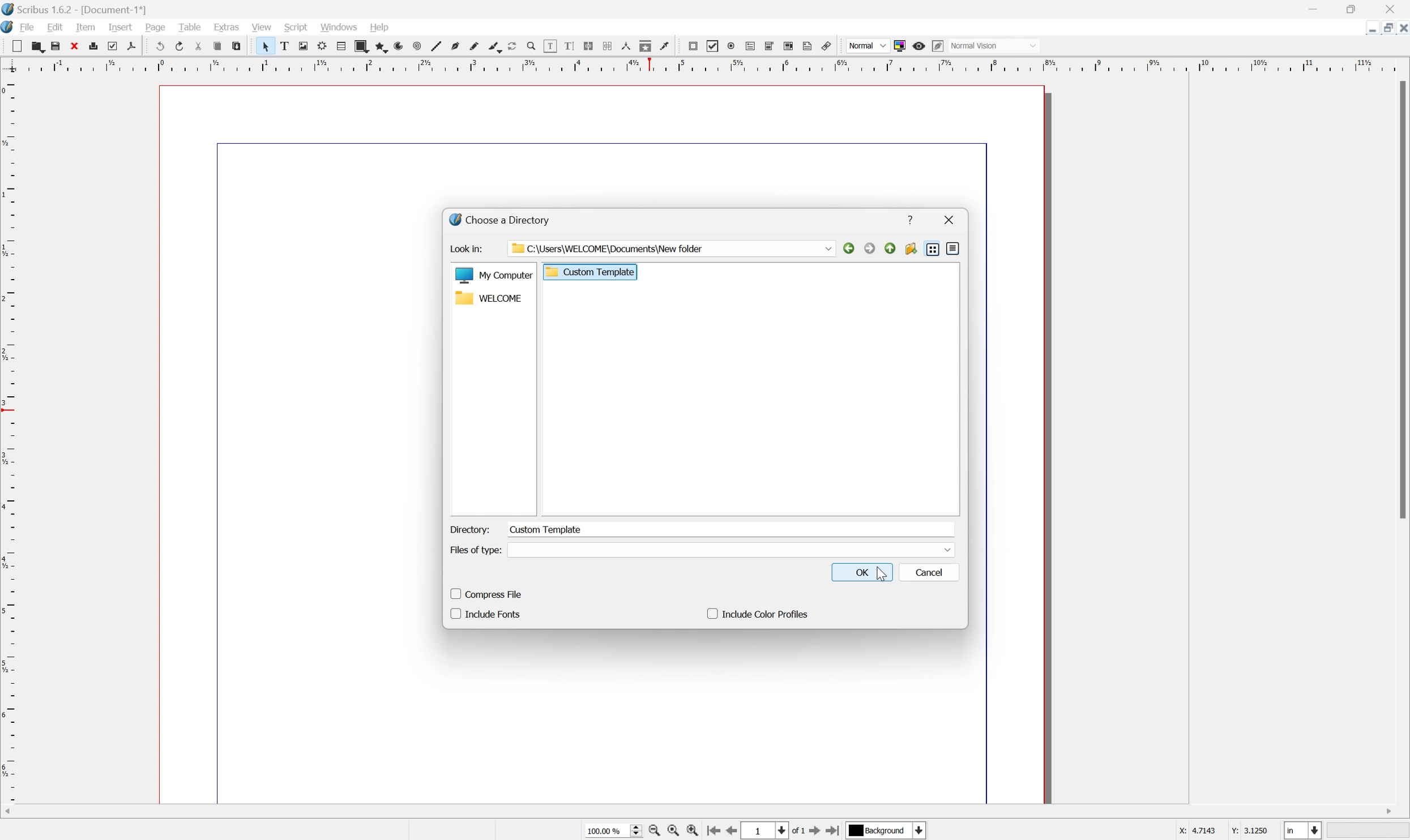 This screenshot has width=1410, height=840. Describe the element at coordinates (1401, 299) in the screenshot. I see `Scroll Bar` at that location.